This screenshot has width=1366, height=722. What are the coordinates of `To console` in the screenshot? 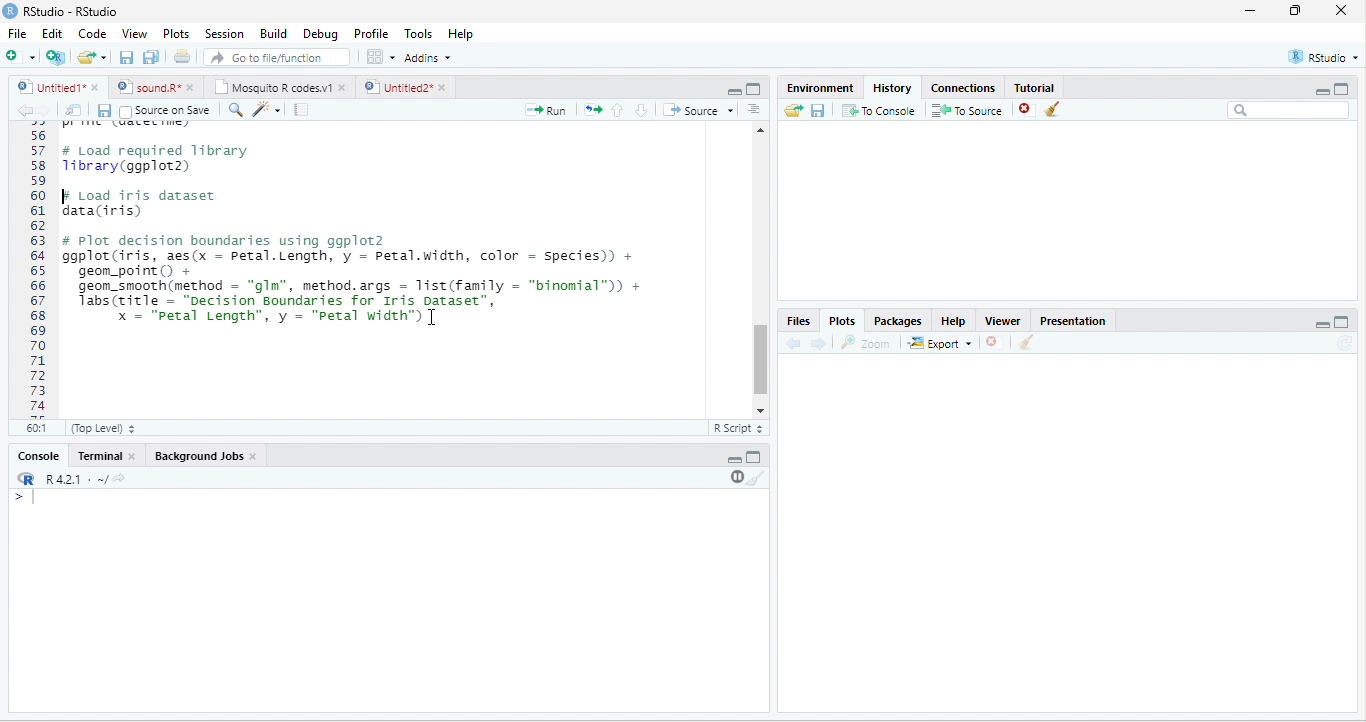 It's located at (879, 110).